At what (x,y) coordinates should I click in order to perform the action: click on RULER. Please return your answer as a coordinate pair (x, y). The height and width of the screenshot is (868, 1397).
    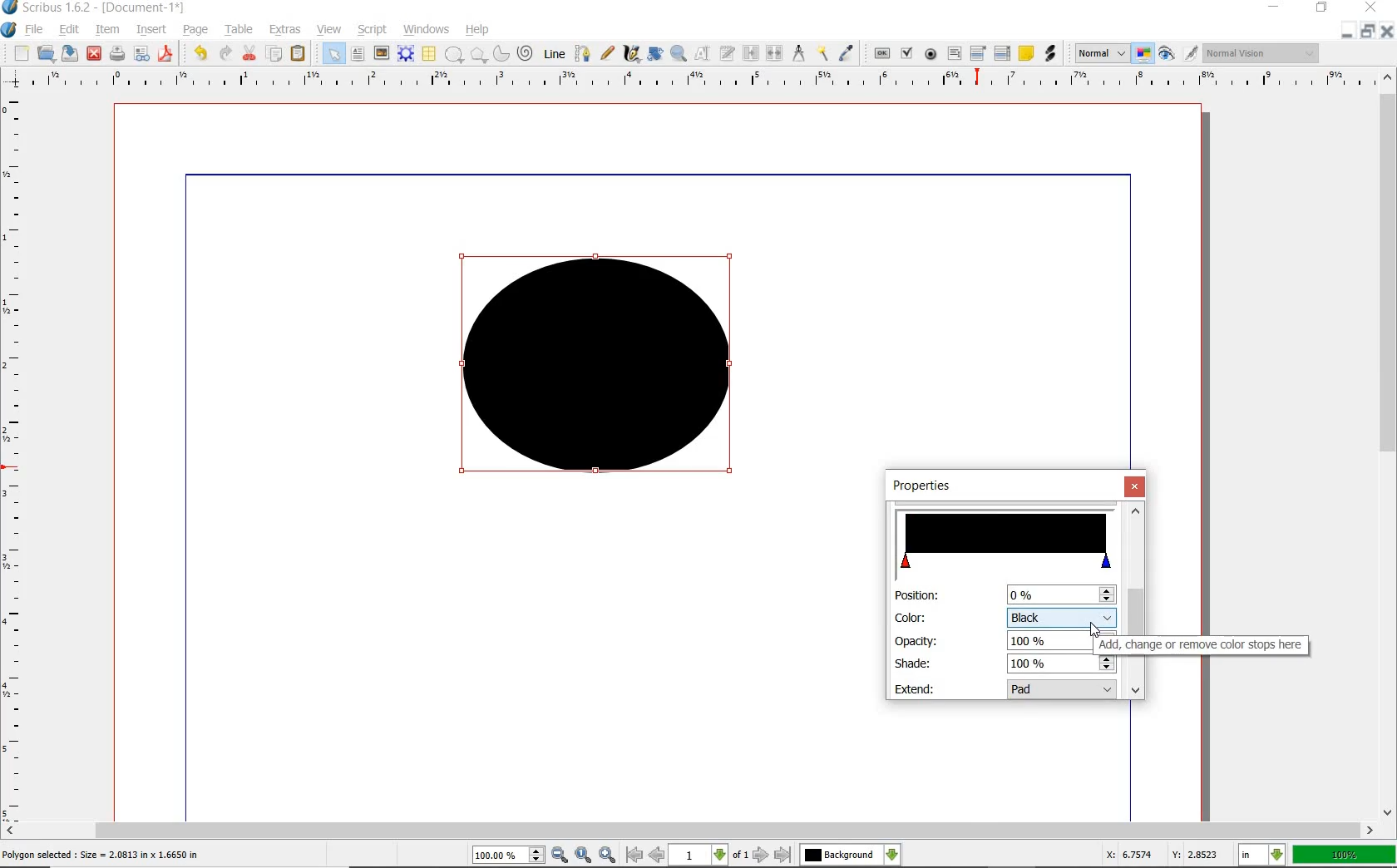
    Looking at the image, I should click on (694, 81).